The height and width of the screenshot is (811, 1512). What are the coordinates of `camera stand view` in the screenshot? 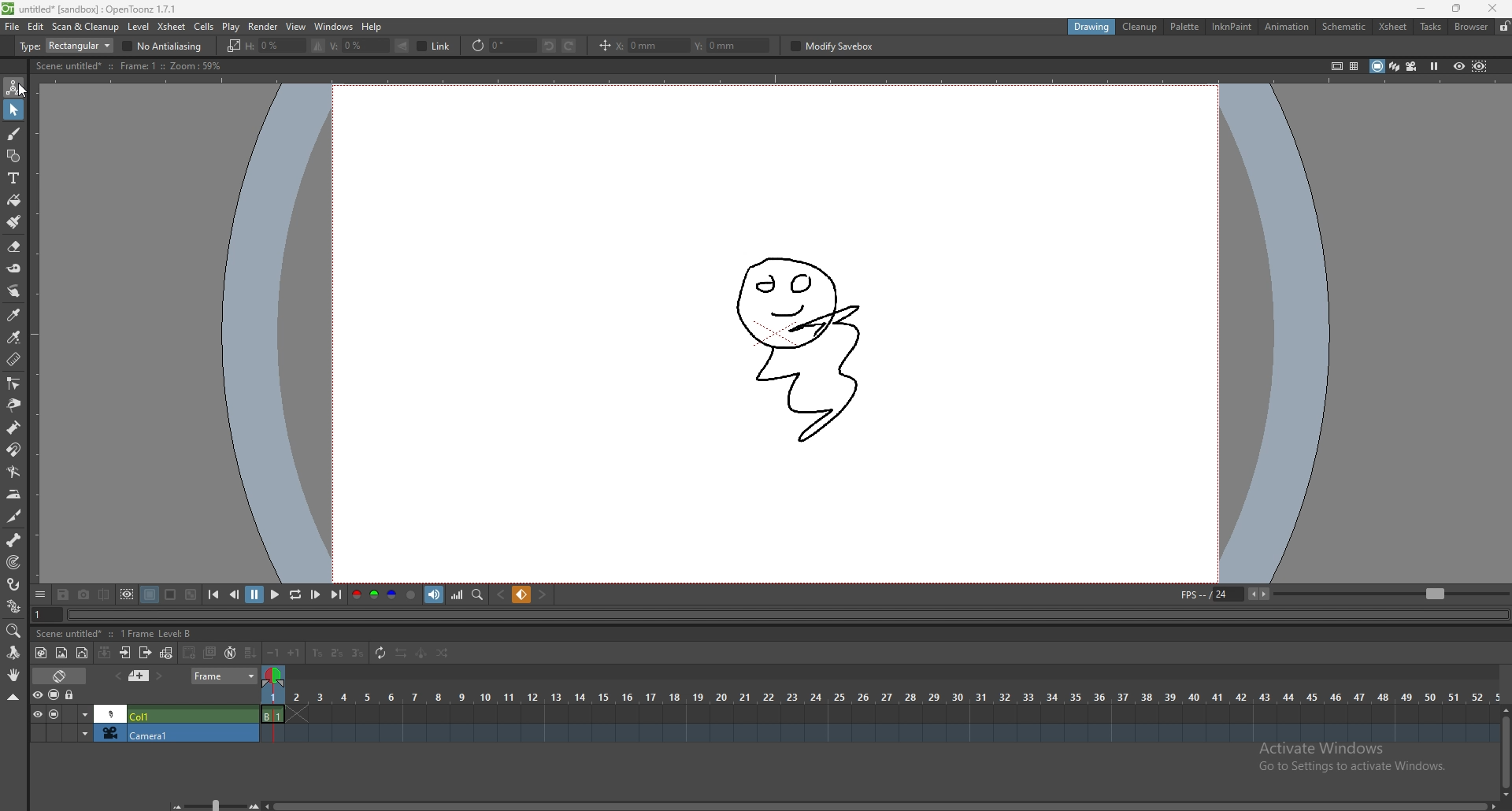 It's located at (1377, 66).